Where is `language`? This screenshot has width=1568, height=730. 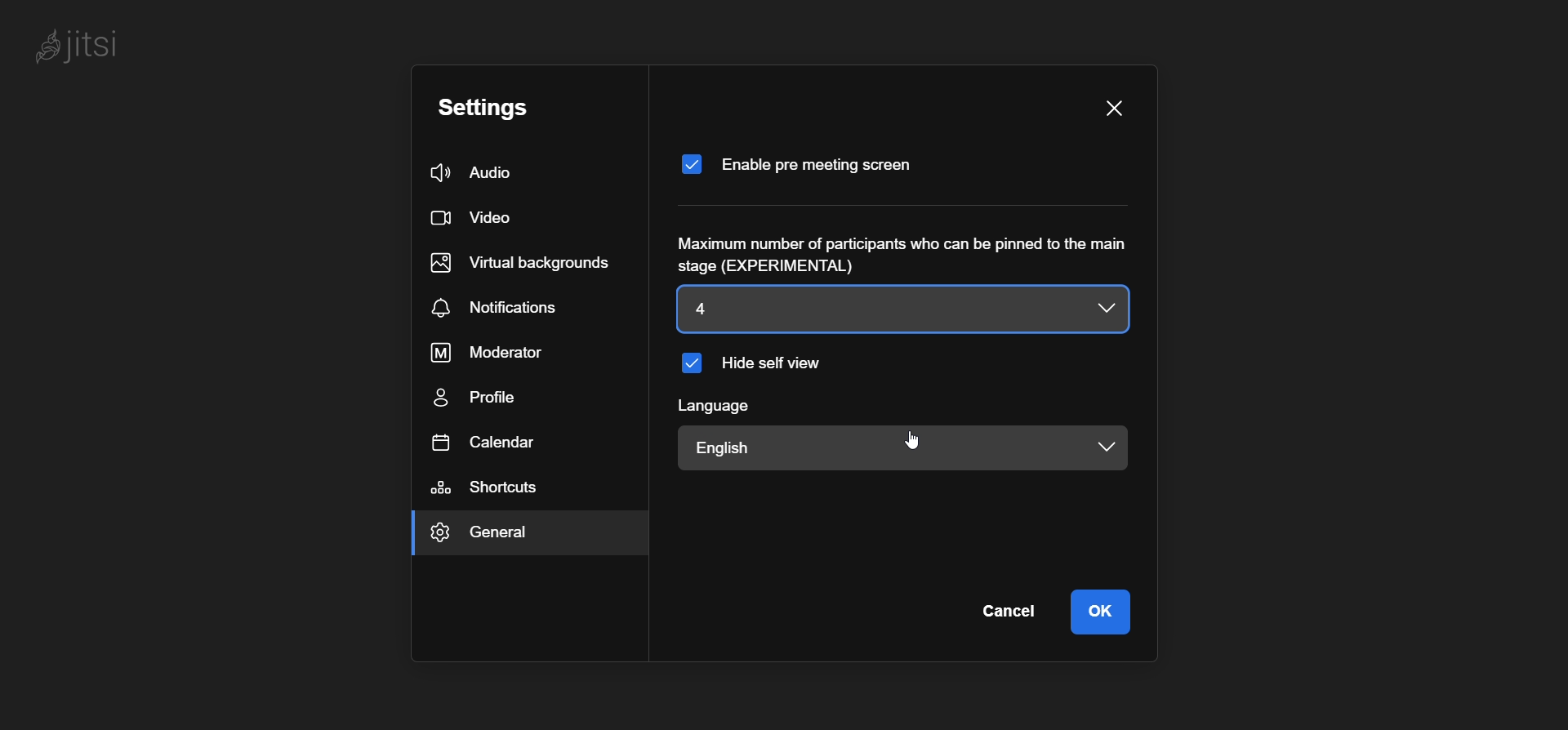 language is located at coordinates (714, 405).